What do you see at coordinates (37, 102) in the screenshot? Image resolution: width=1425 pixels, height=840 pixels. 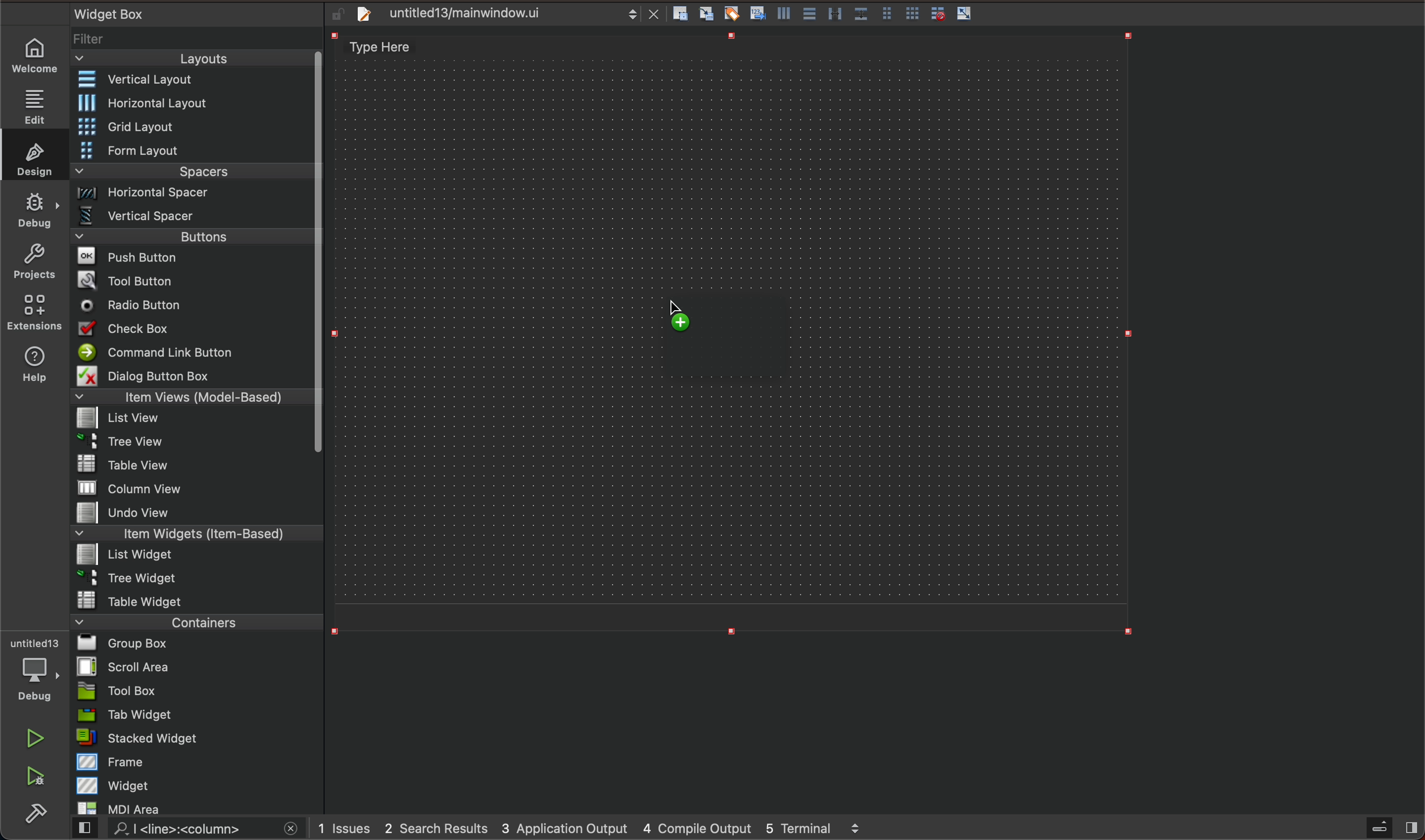 I see `edit` at bounding box center [37, 102].